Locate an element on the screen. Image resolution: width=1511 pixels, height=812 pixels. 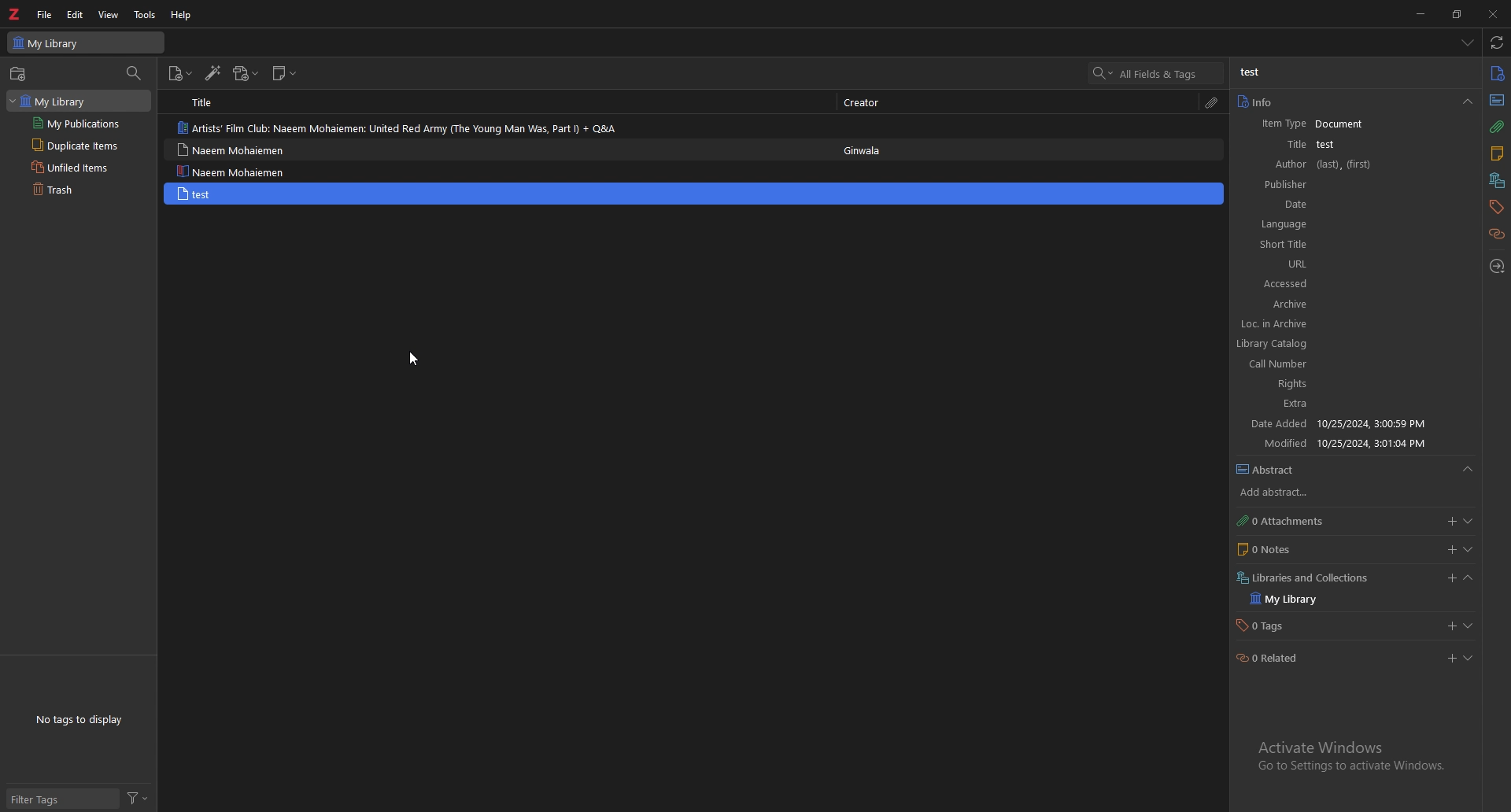
locate is located at coordinates (1498, 266).